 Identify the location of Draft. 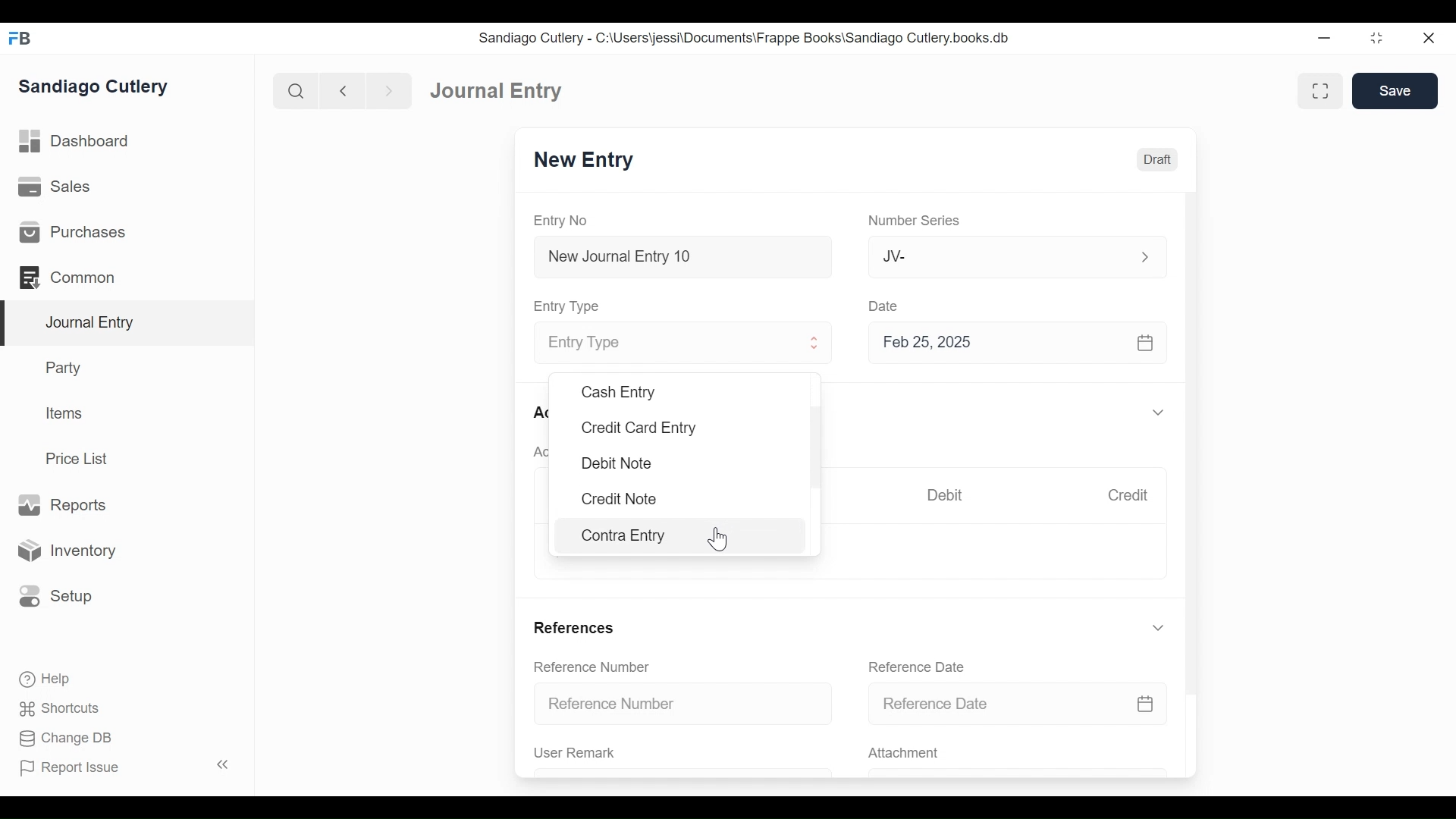
(1158, 160).